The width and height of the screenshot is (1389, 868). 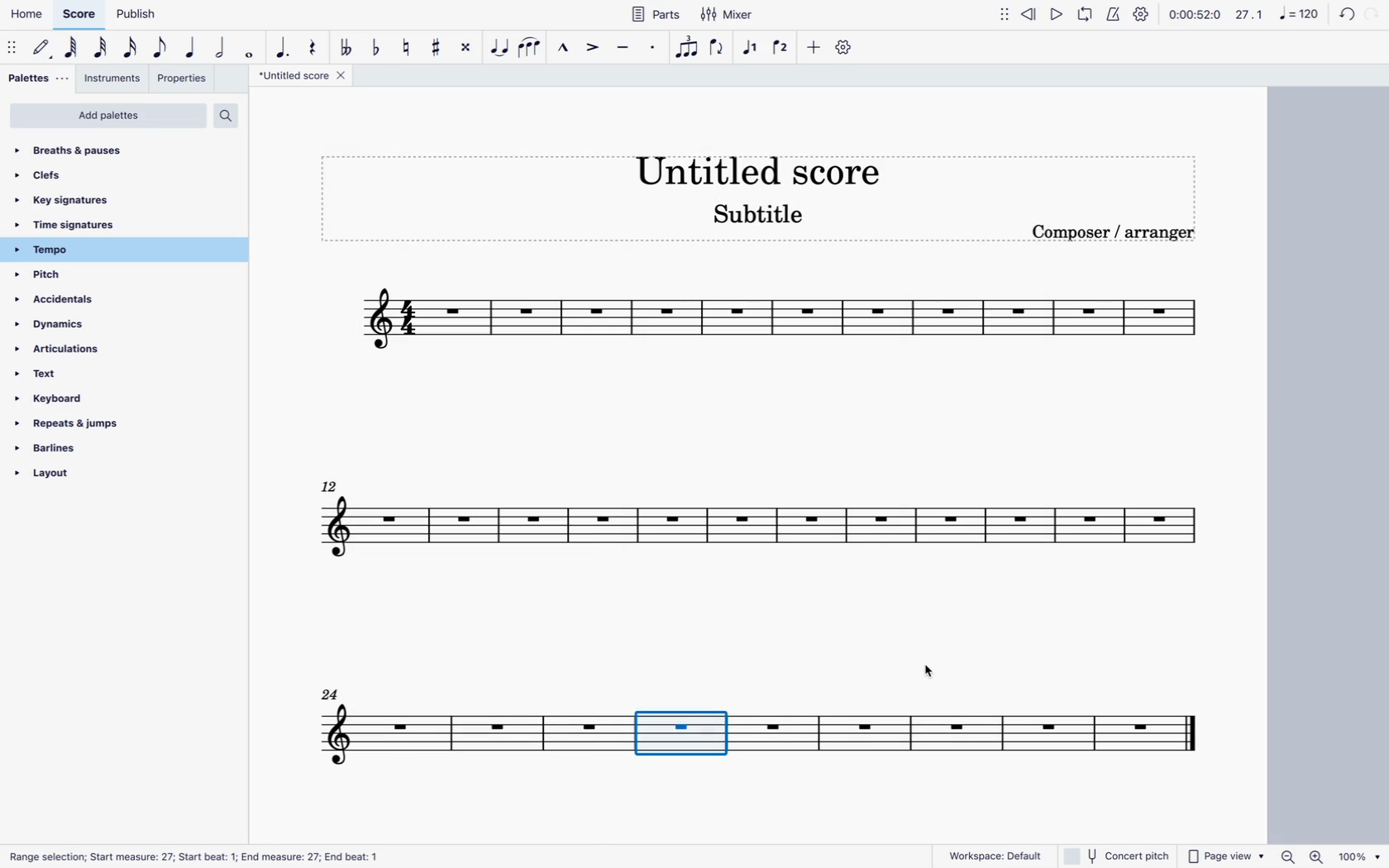 What do you see at coordinates (340, 79) in the screenshot?
I see `close tab` at bounding box center [340, 79].